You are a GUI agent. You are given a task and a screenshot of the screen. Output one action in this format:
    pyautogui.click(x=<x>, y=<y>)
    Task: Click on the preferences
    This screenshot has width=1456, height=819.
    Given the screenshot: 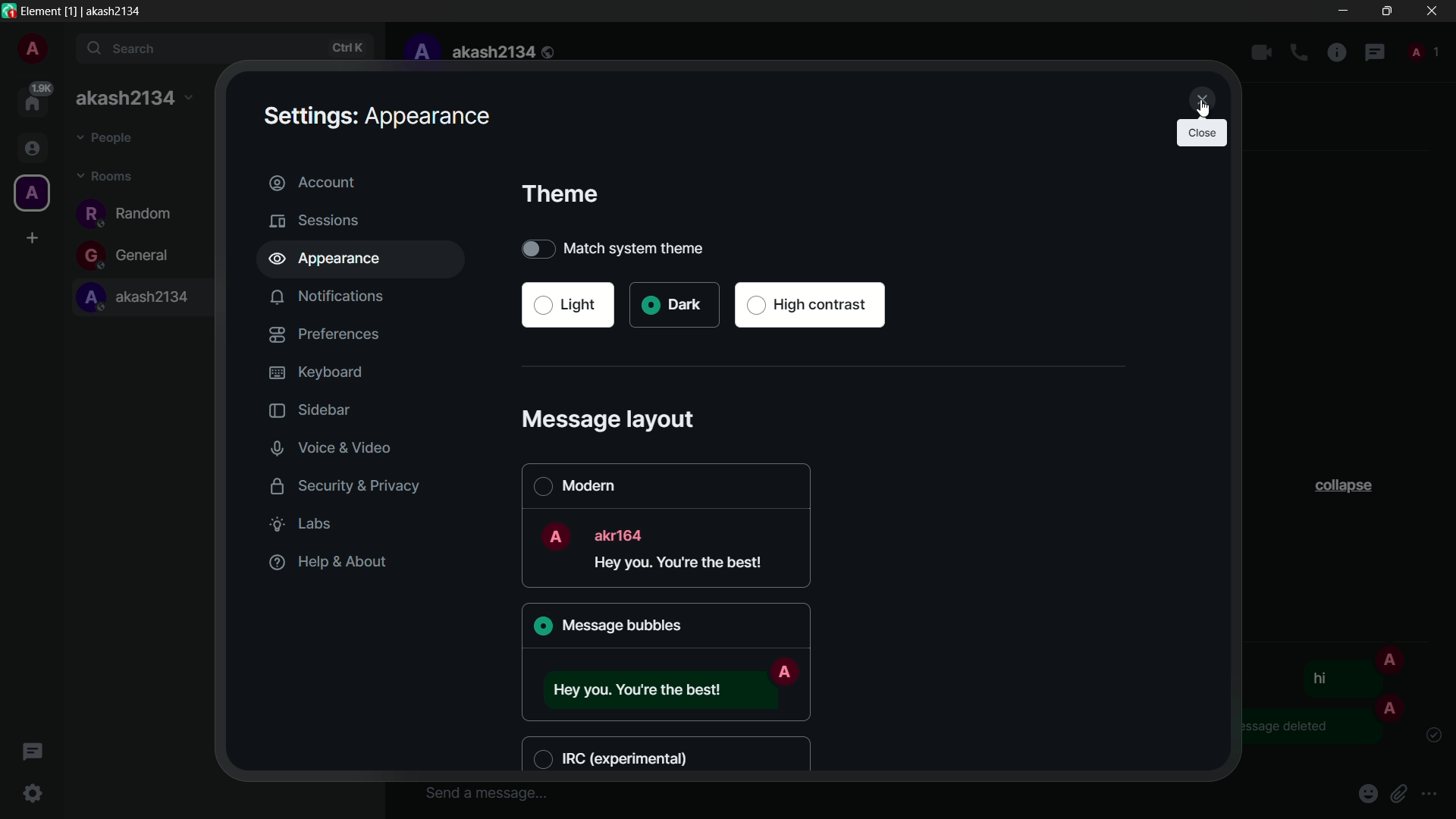 What is the action you would take?
    pyautogui.click(x=325, y=334)
    